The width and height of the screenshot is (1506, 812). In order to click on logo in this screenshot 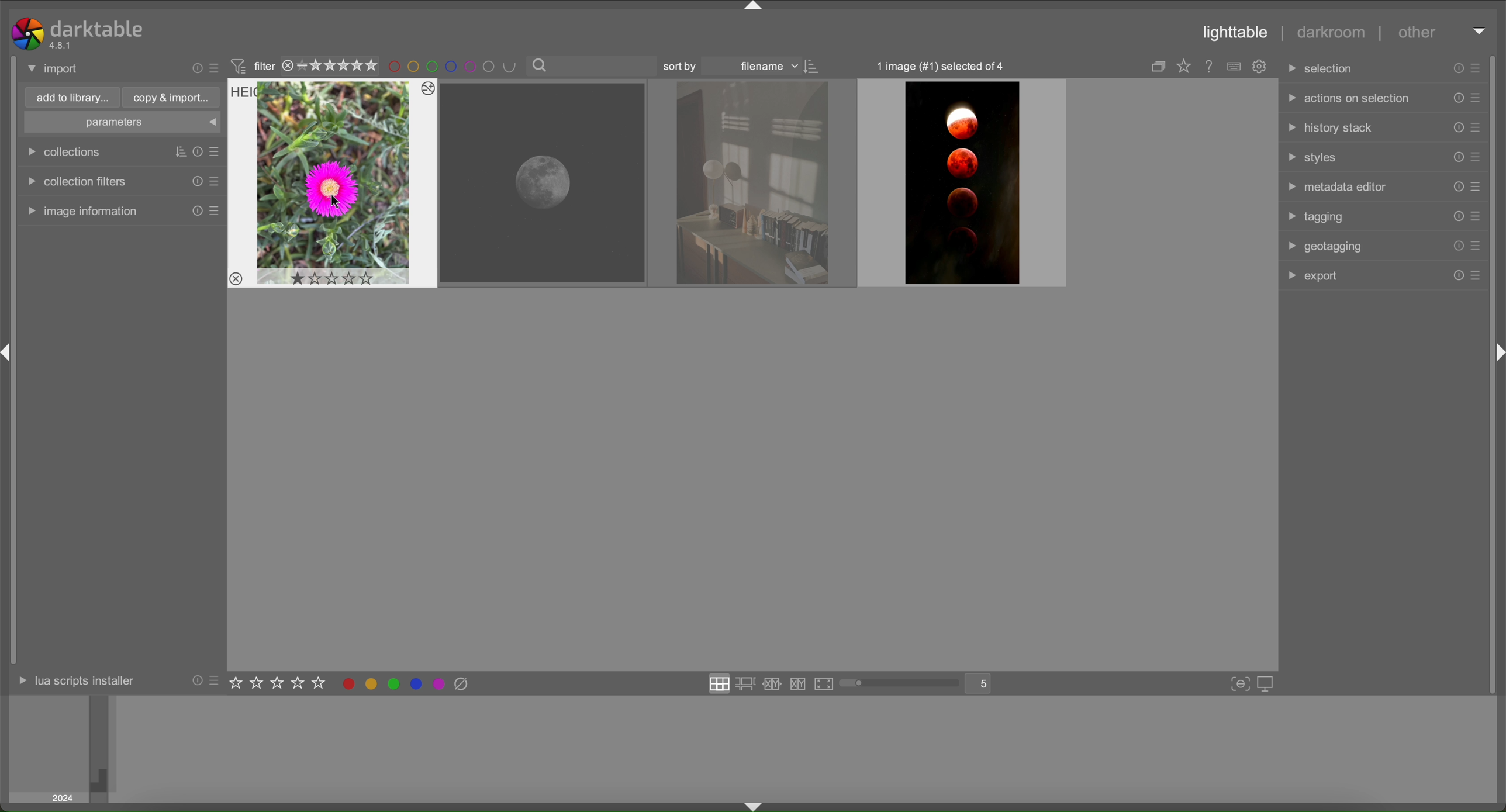, I will do `click(27, 34)`.